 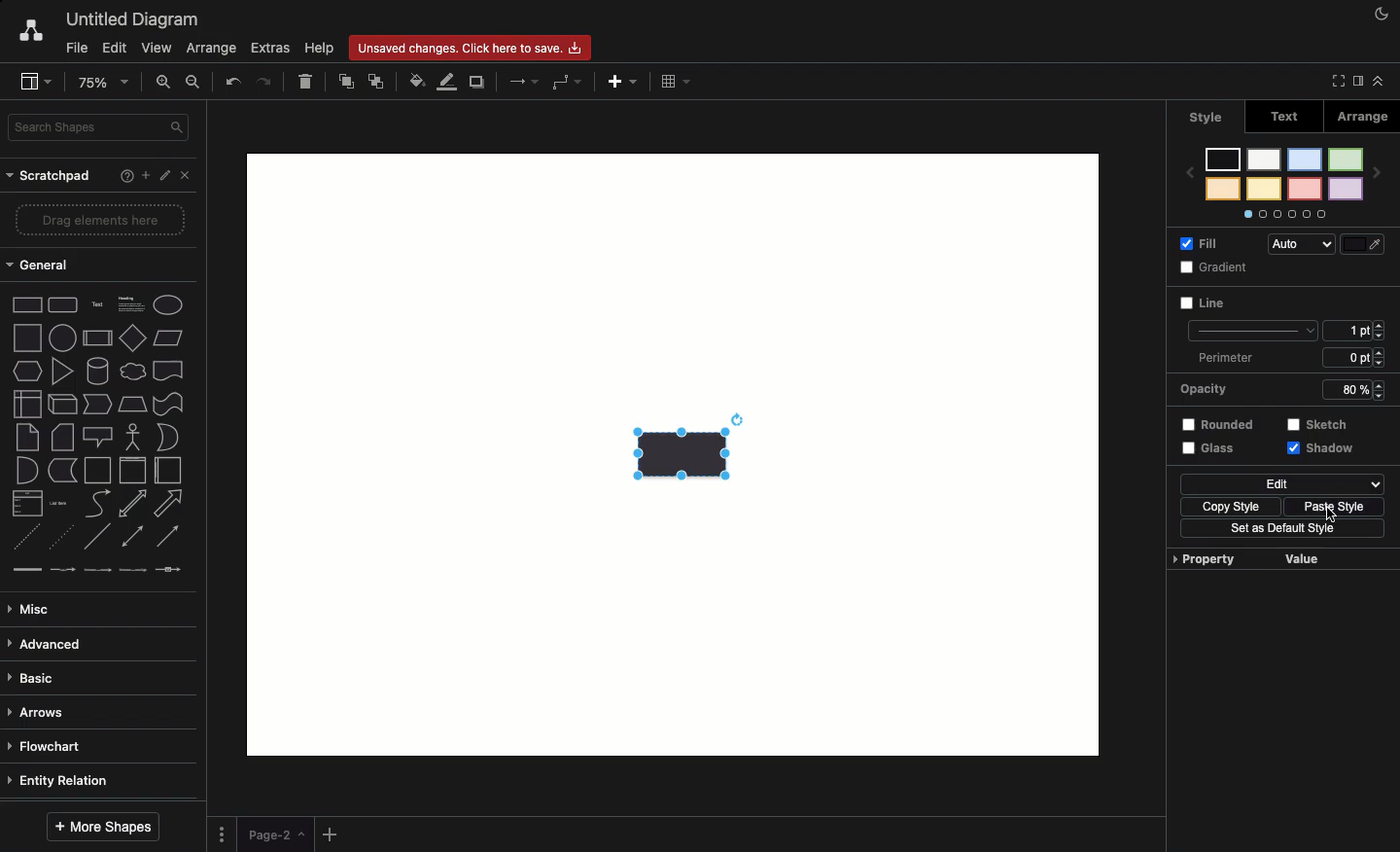 What do you see at coordinates (224, 835) in the screenshot?
I see `Options` at bounding box center [224, 835].